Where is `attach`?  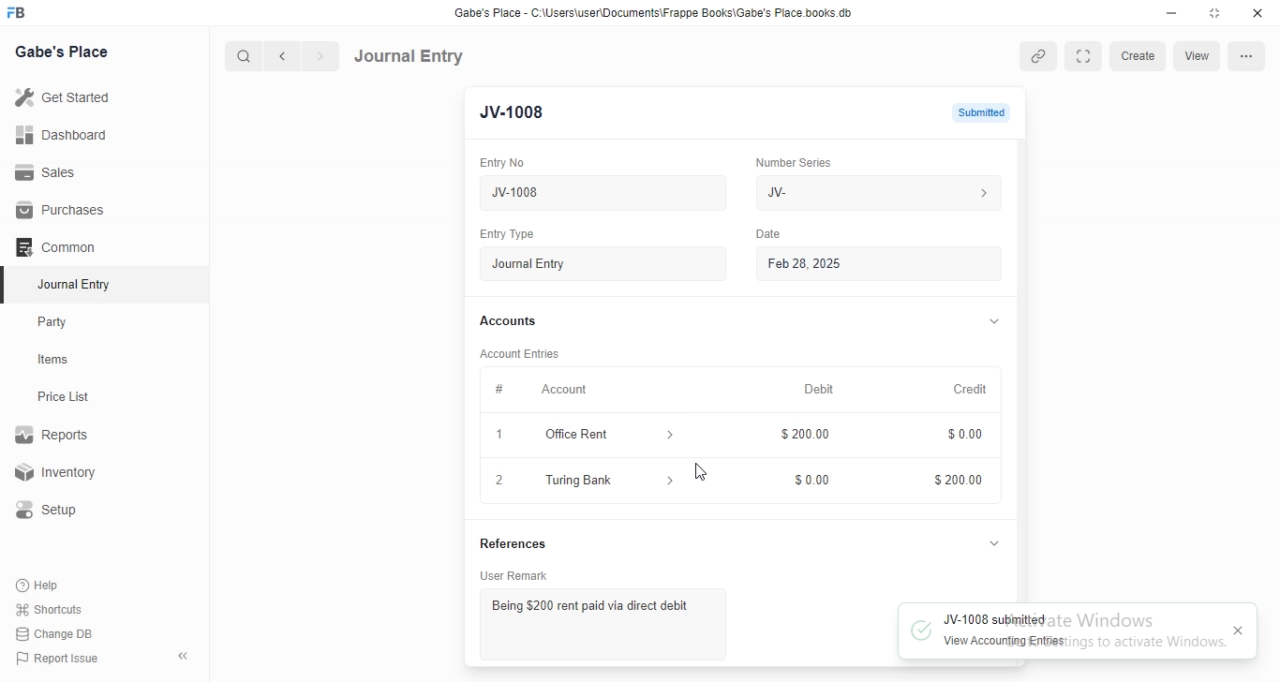 attach is located at coordinates (1039, 57).